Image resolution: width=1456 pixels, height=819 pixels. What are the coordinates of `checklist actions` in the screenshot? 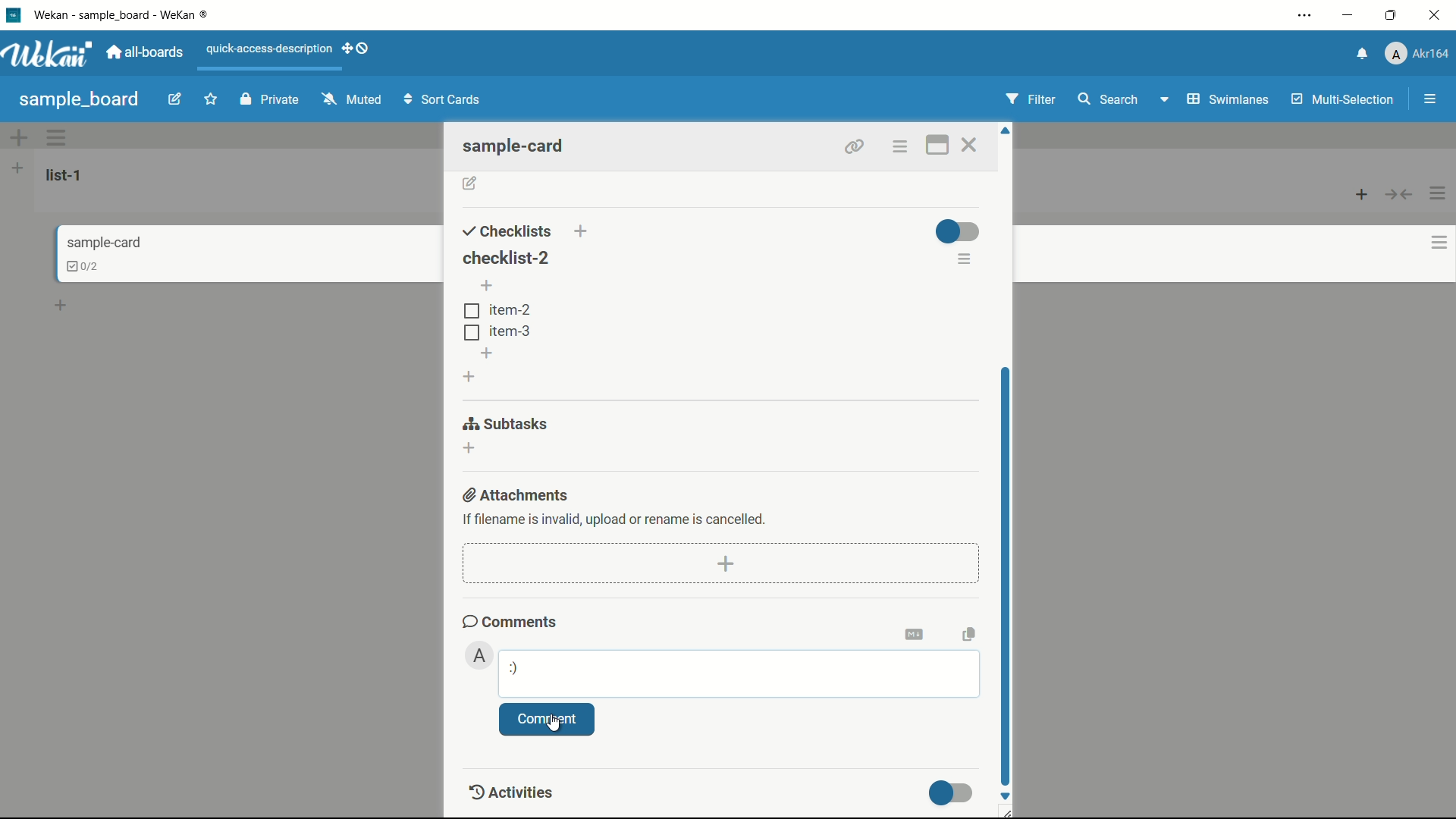 It's located at (965, 261).